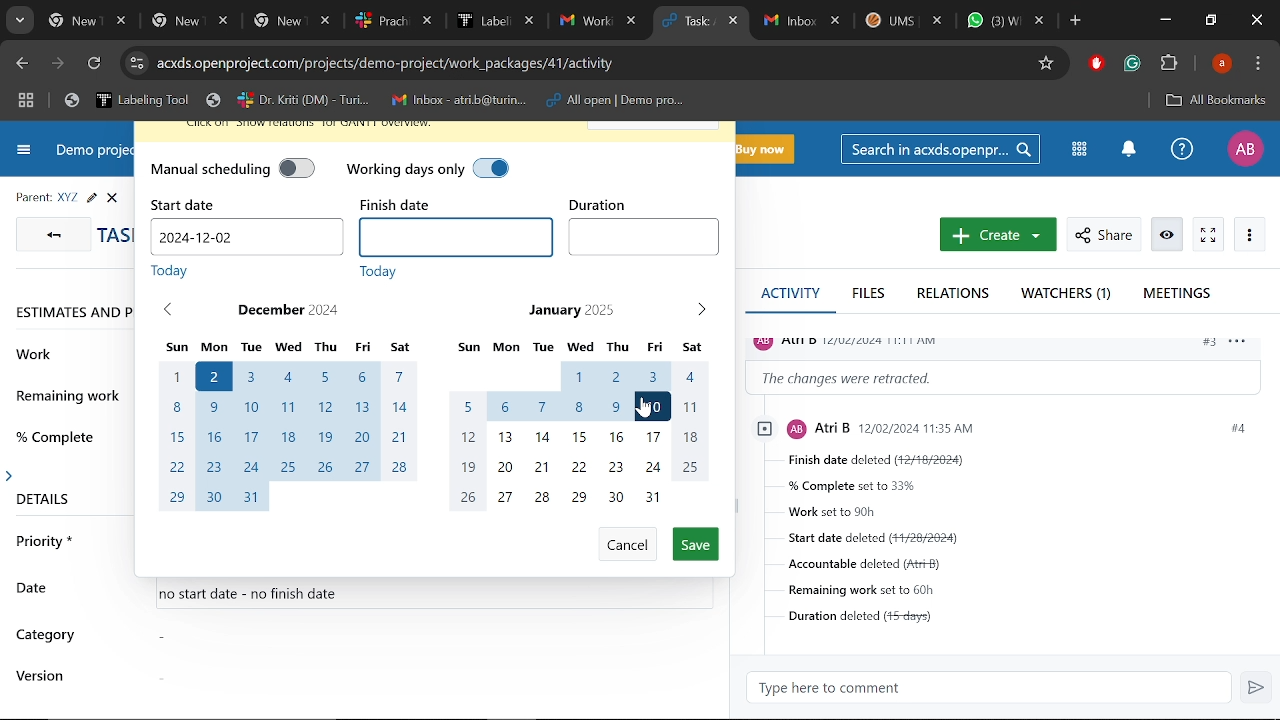 Image resolution: width=1280 pixels, height=720 pixels. I want to click on Refresh, so click(95, 66).